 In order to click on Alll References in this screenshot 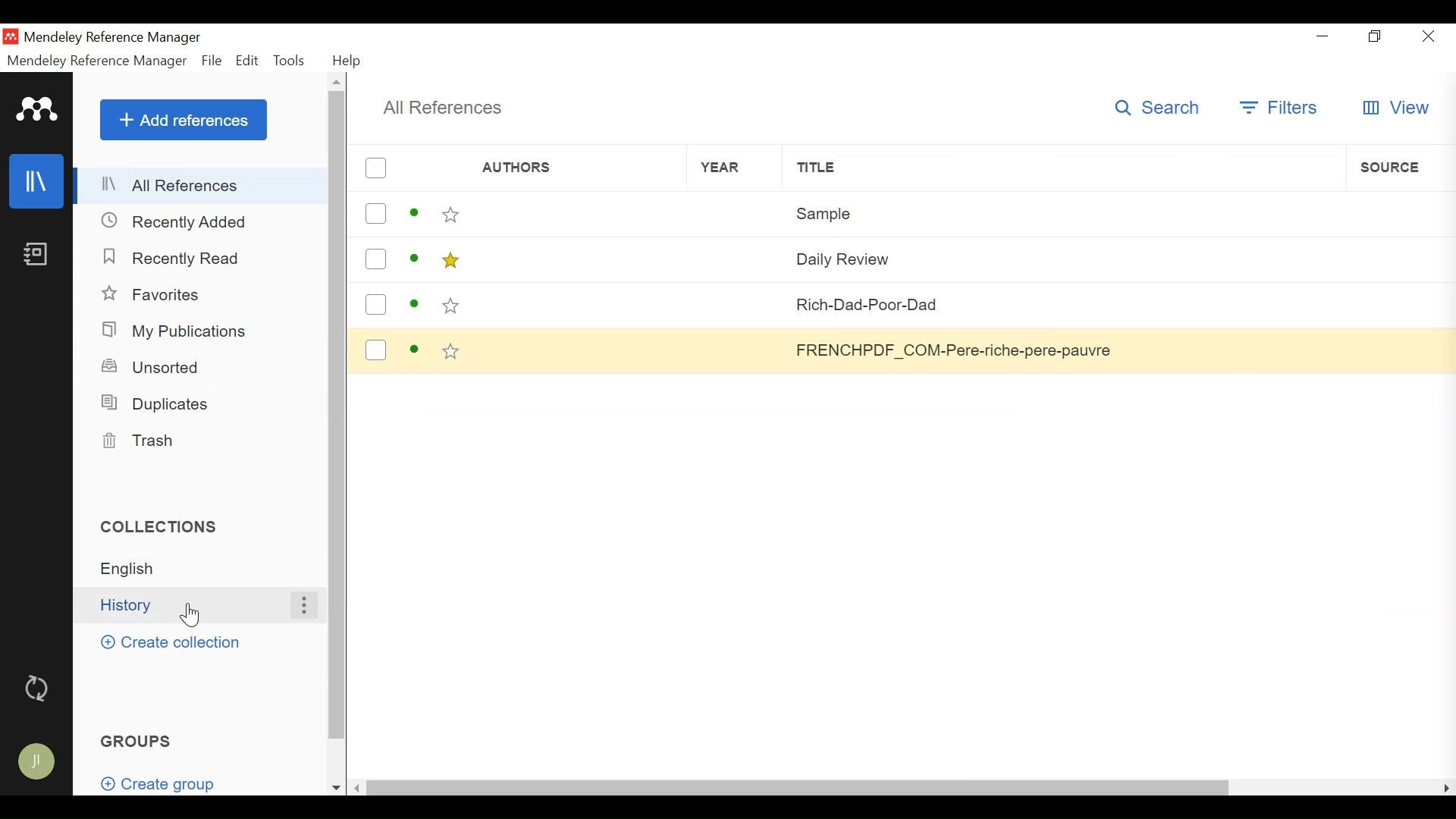, I will do `click(202, 186)`.